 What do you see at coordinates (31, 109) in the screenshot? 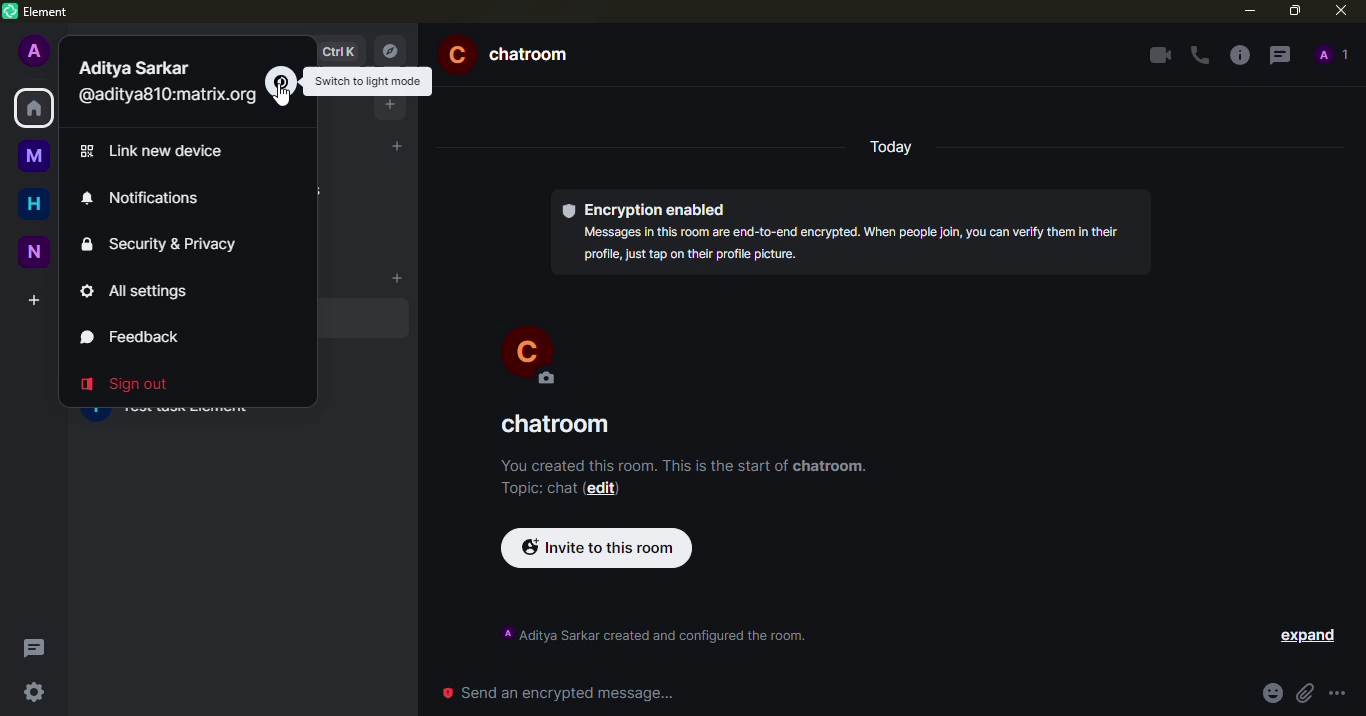
I see `home` at bounding box center [31, 109].